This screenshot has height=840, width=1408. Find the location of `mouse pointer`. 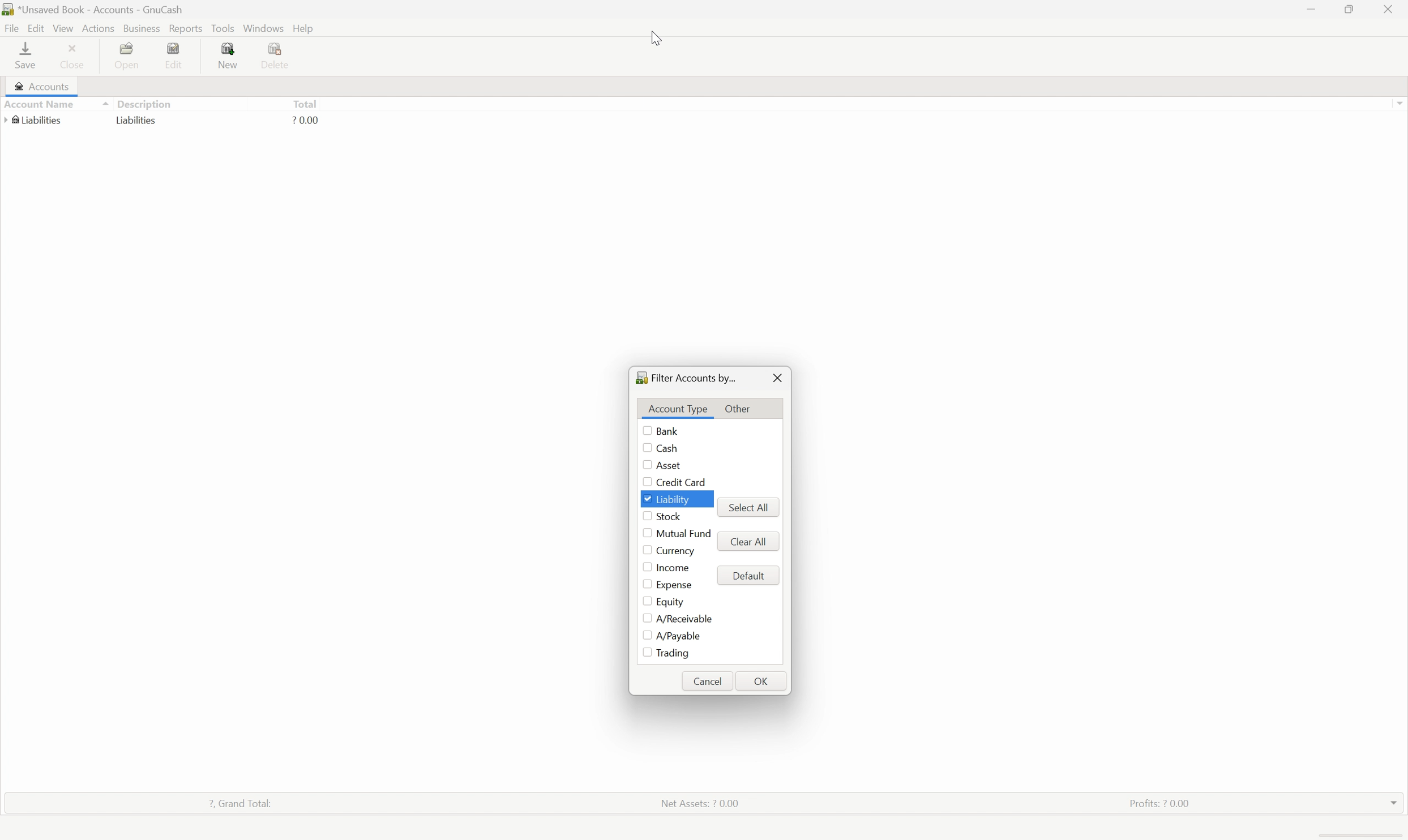

mouse pointer is located at coordinates (653, 506).